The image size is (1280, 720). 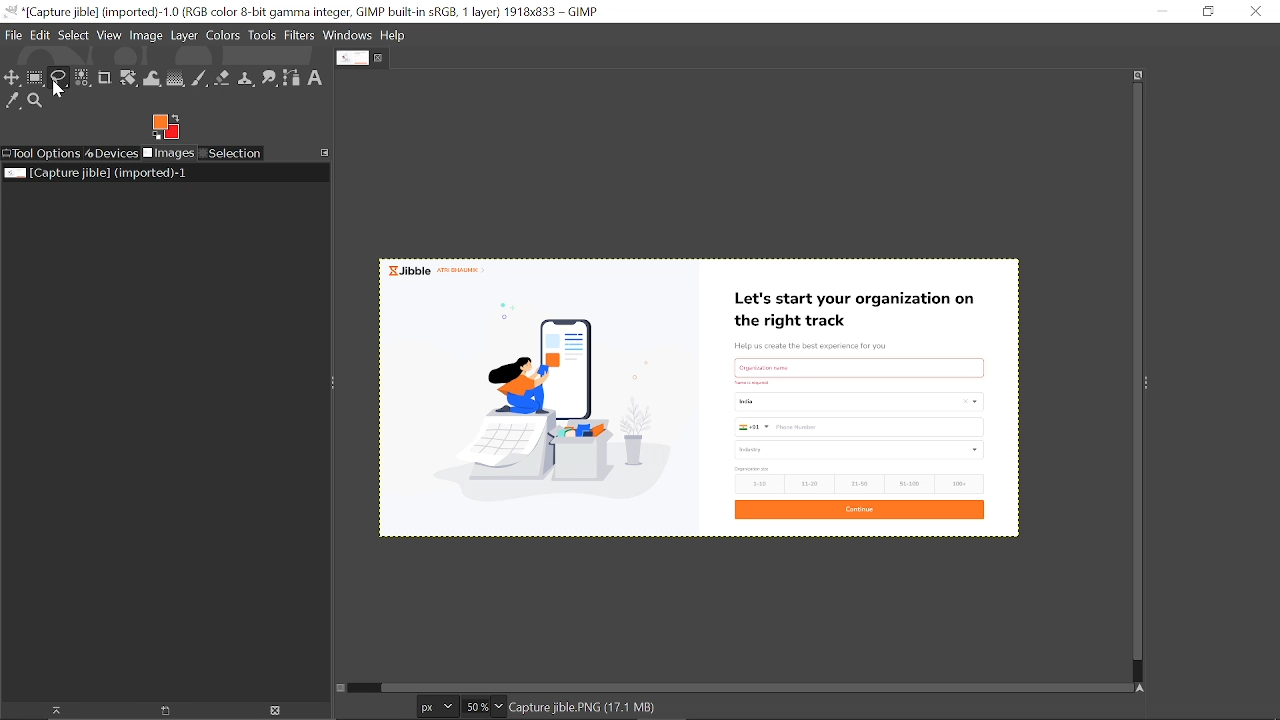 I want to click on Close, so click(x=1256, y=11).